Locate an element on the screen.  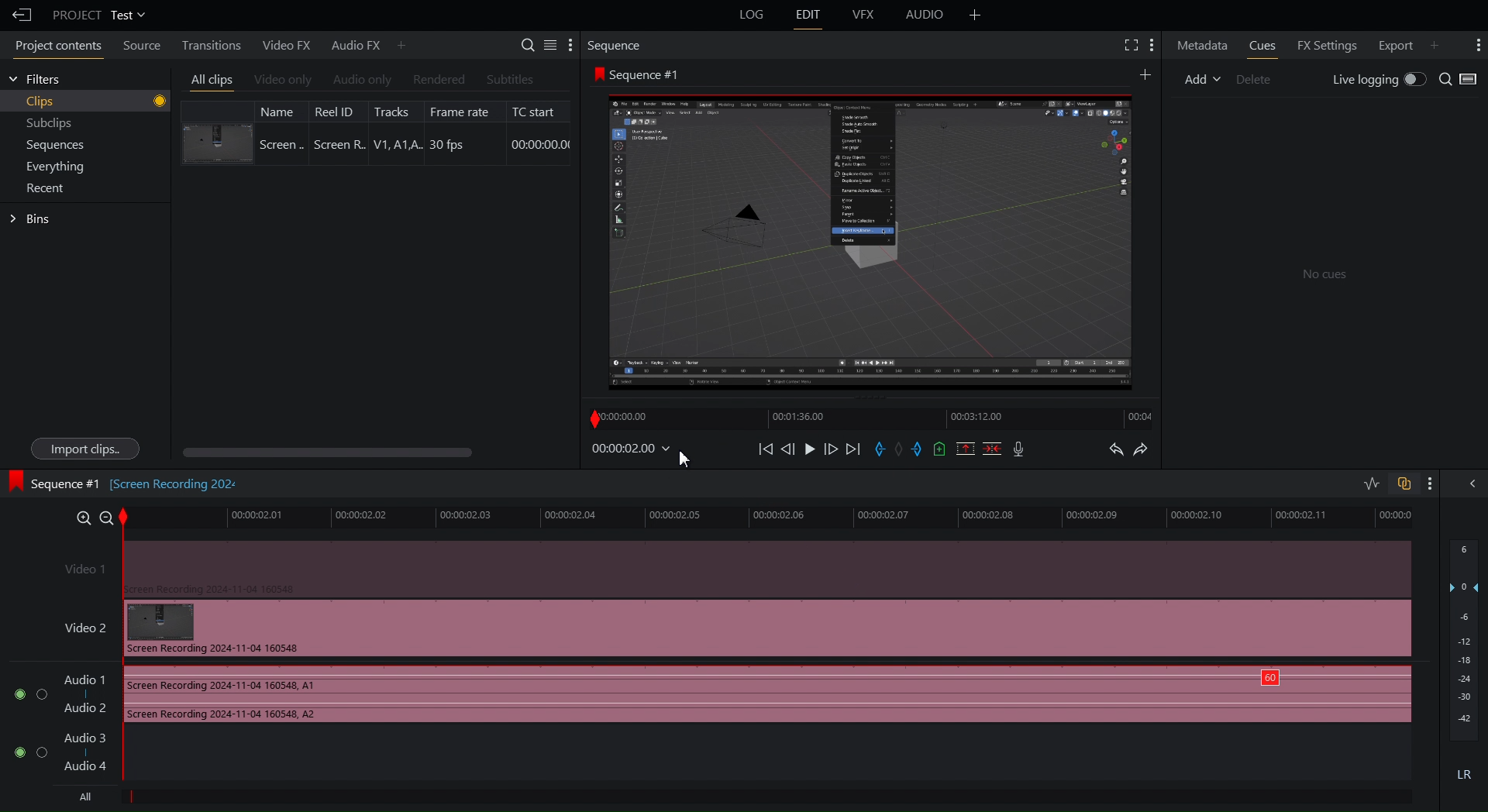
Subtitles is located at coordinates (511, 79).